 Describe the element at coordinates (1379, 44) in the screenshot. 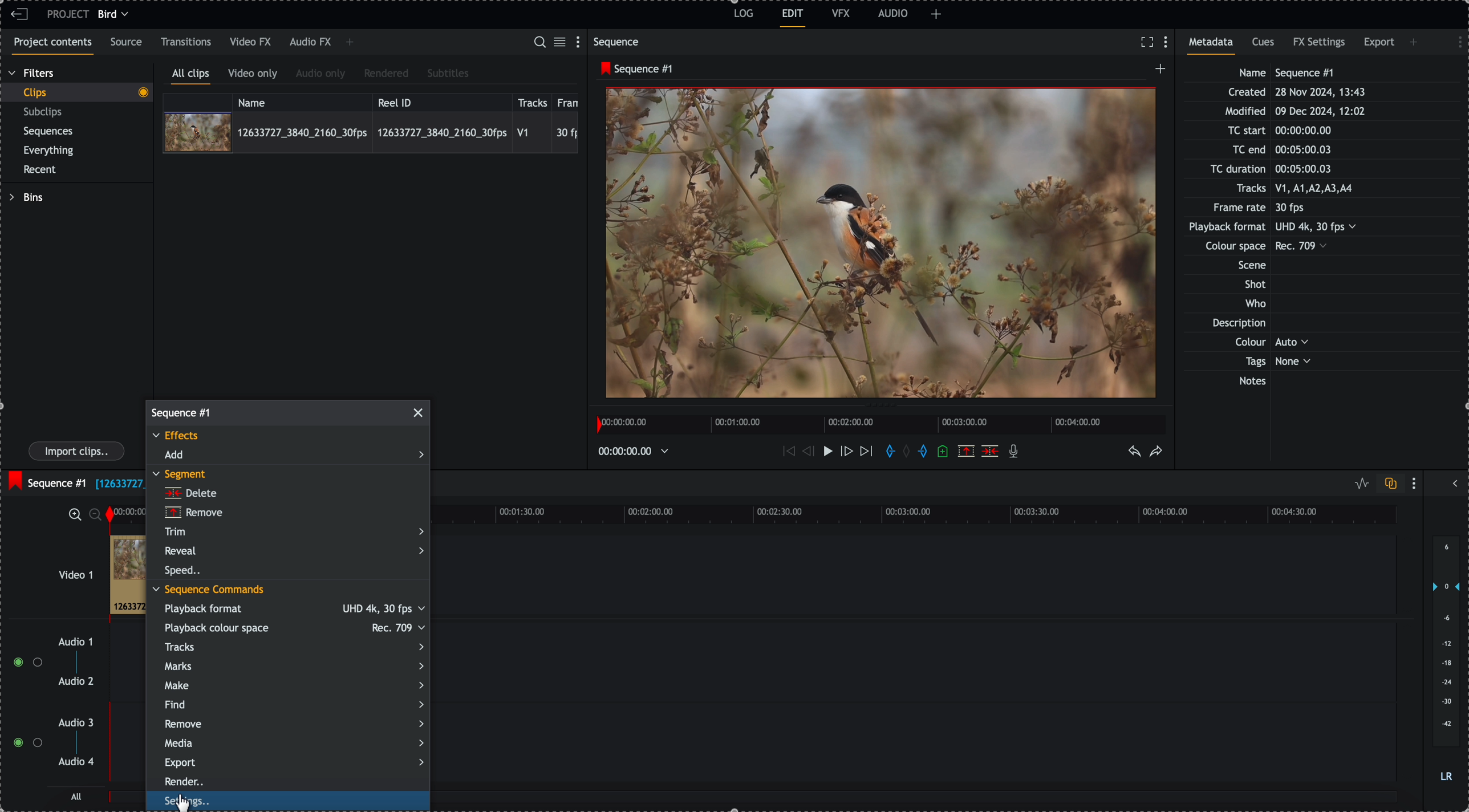

I see `export` at that location.